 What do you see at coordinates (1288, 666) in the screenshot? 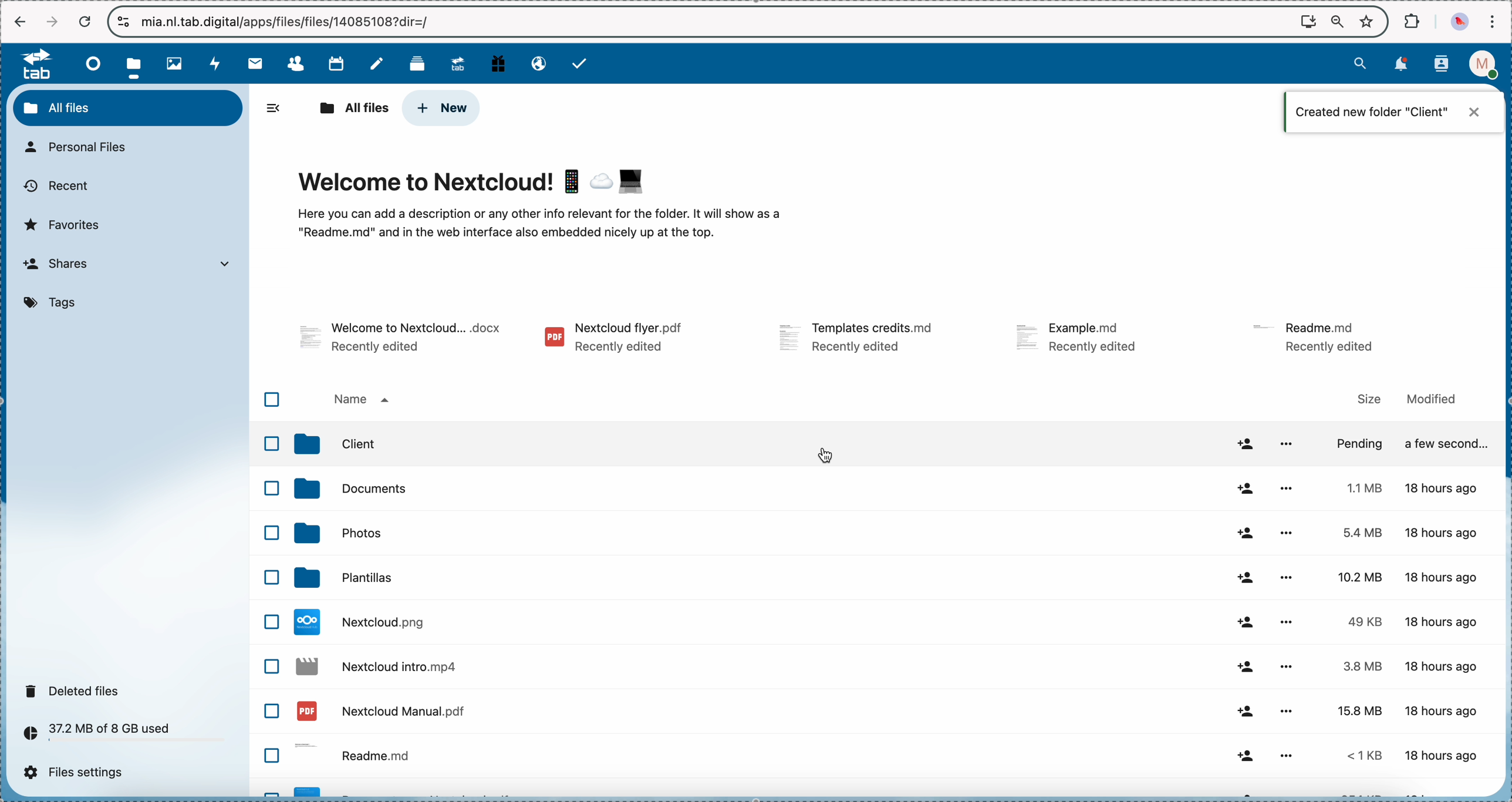
I see `more options` at bounding box center [1288, 666].